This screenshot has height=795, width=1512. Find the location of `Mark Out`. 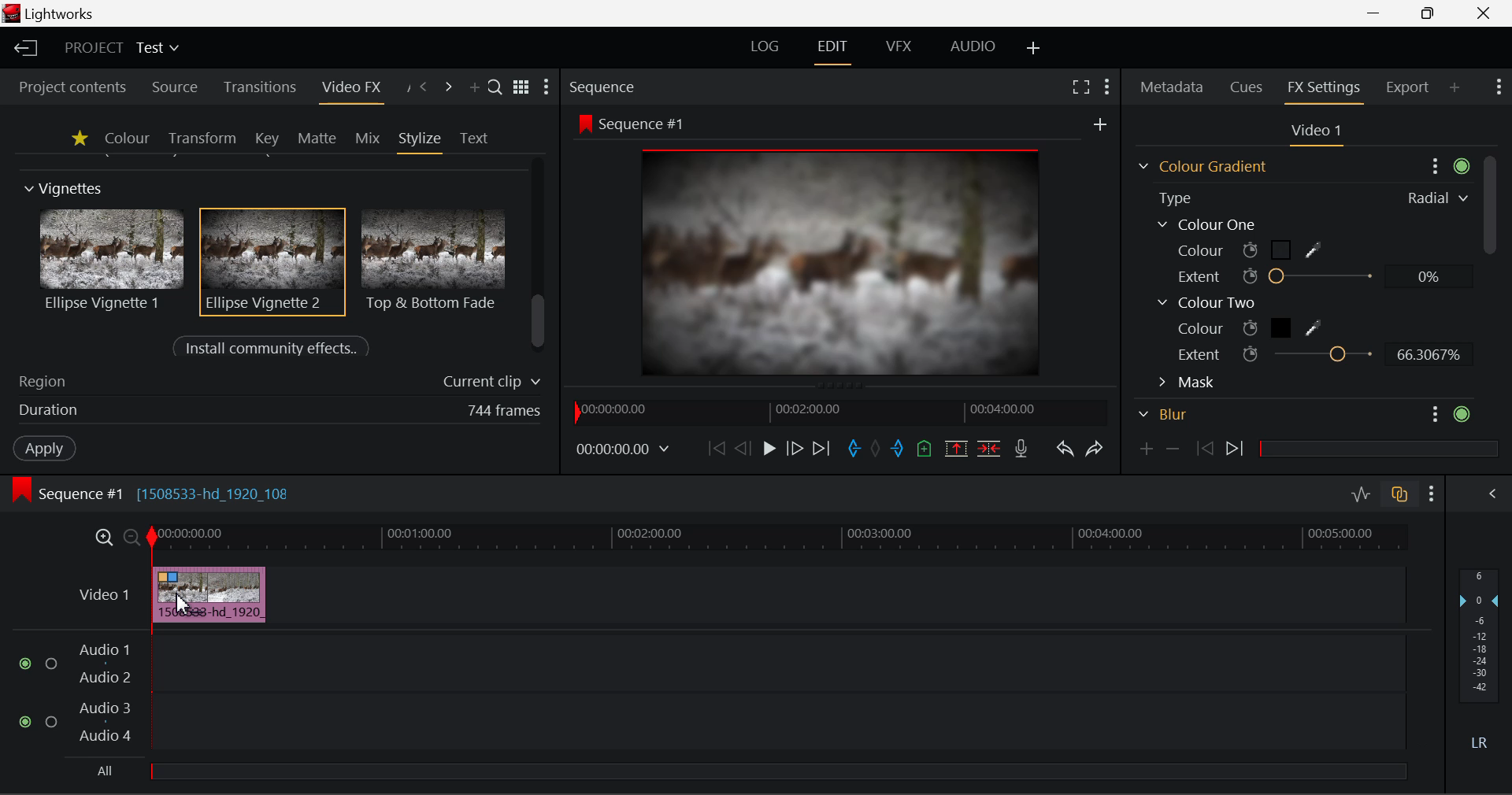

Mark Out is located at coordinates (898, 445).